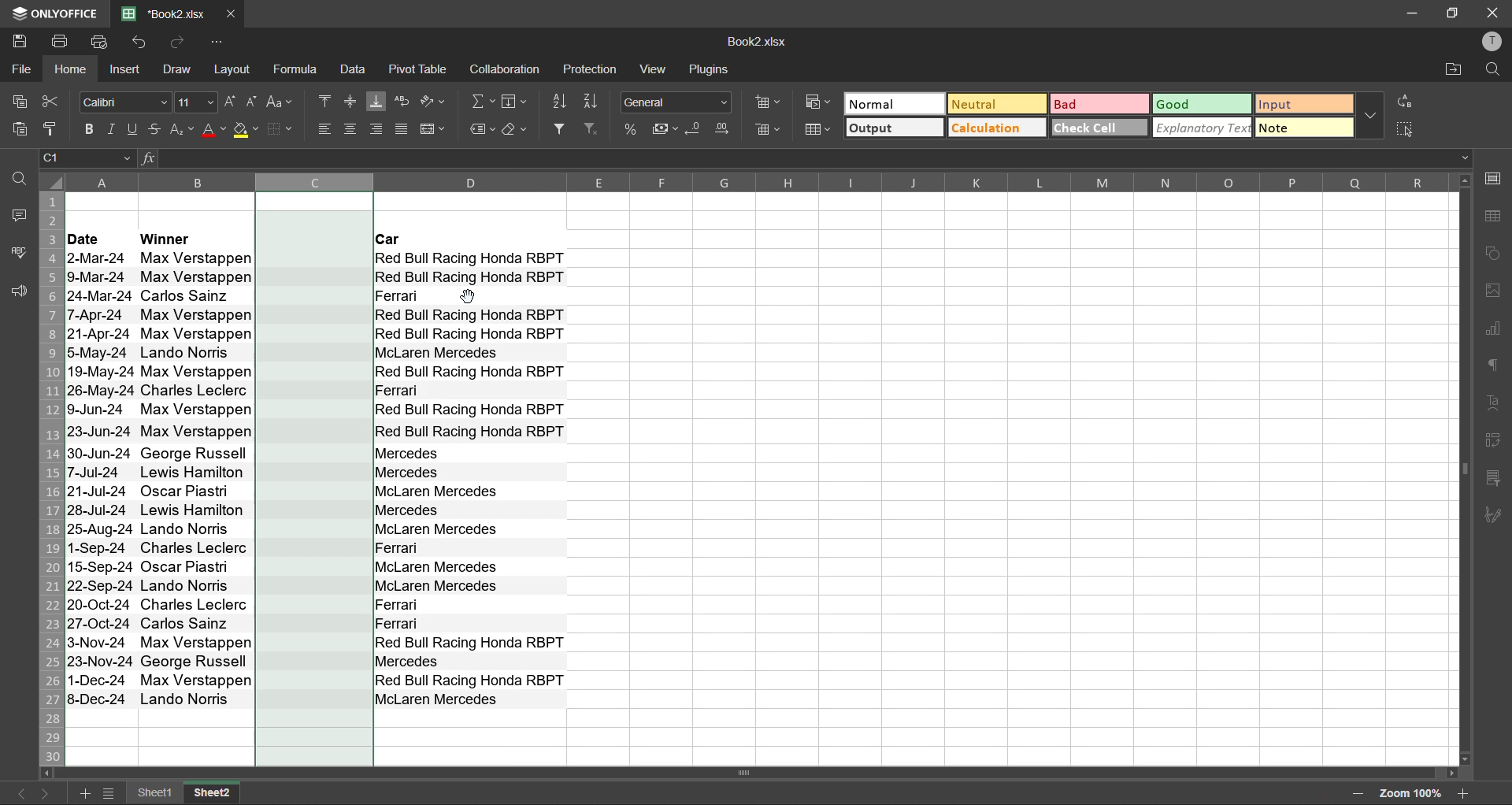 This screenshot has width=1512, height=805. Describe the element at coordinates (995, 129) in the screenshot. I see `calculation` at that location.